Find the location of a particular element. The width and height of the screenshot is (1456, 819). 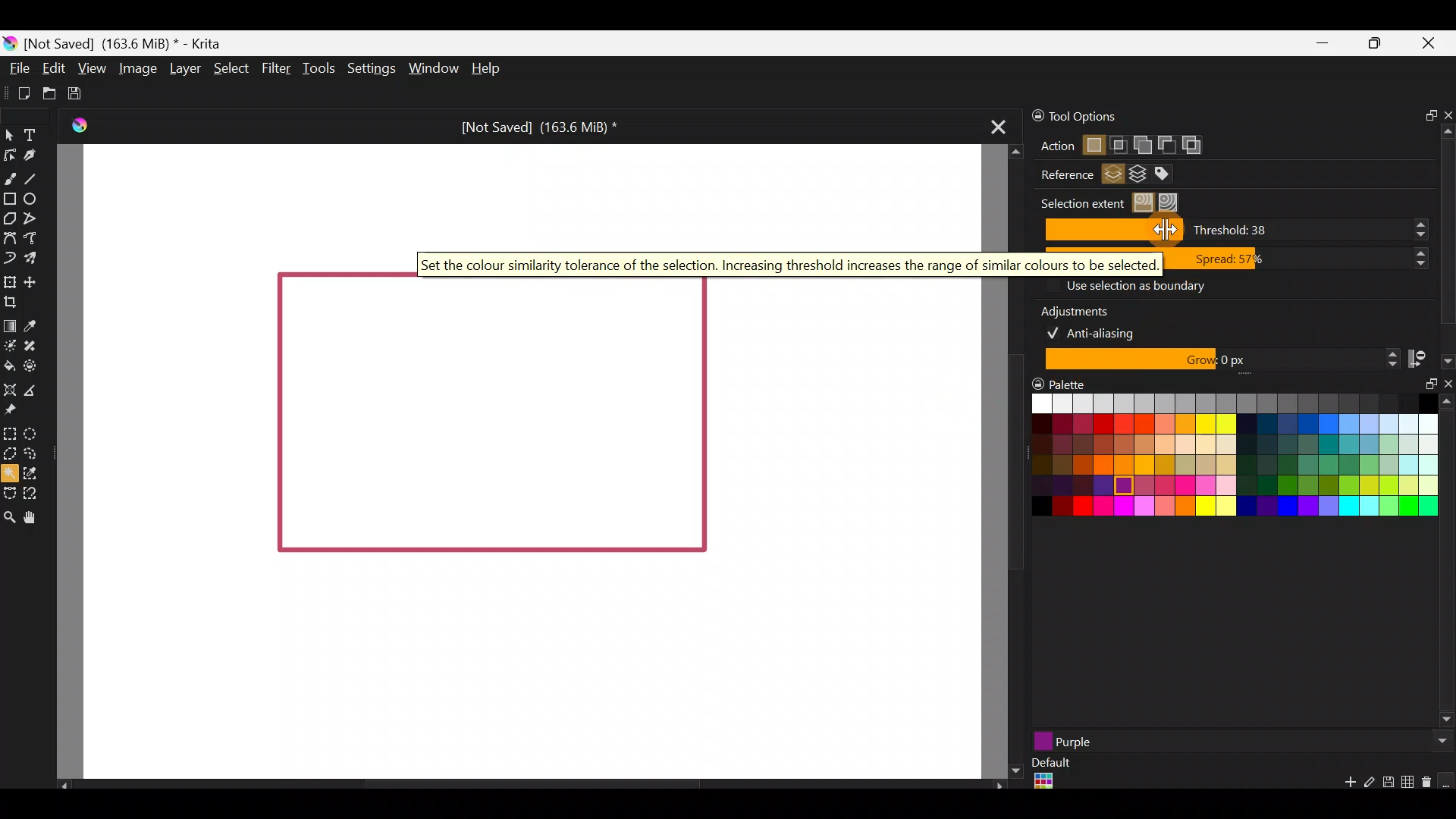

Select regions from active layer is located at coordinates (1113, 176).